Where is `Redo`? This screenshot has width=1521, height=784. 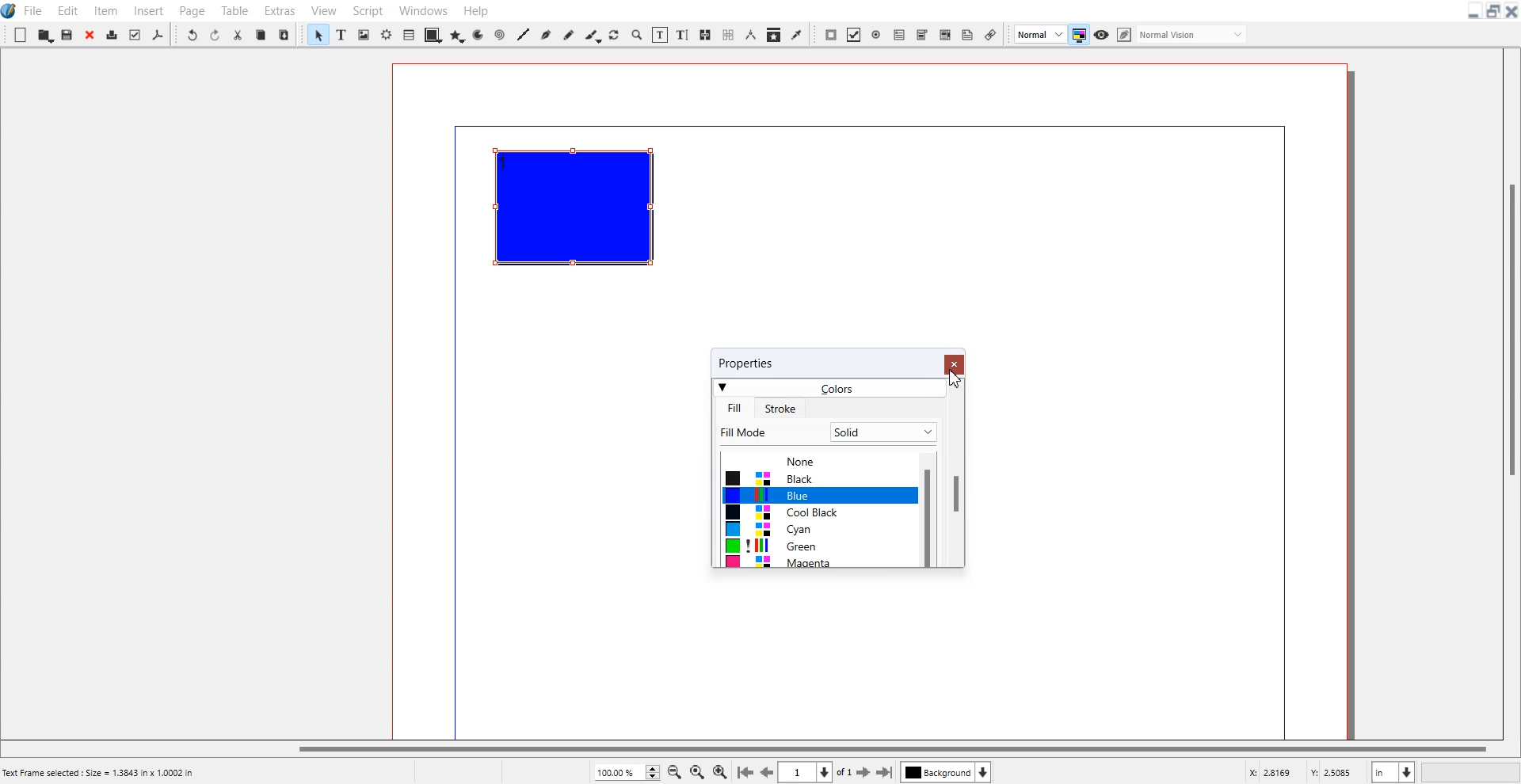
Redo is located at coordinates (215, 33).